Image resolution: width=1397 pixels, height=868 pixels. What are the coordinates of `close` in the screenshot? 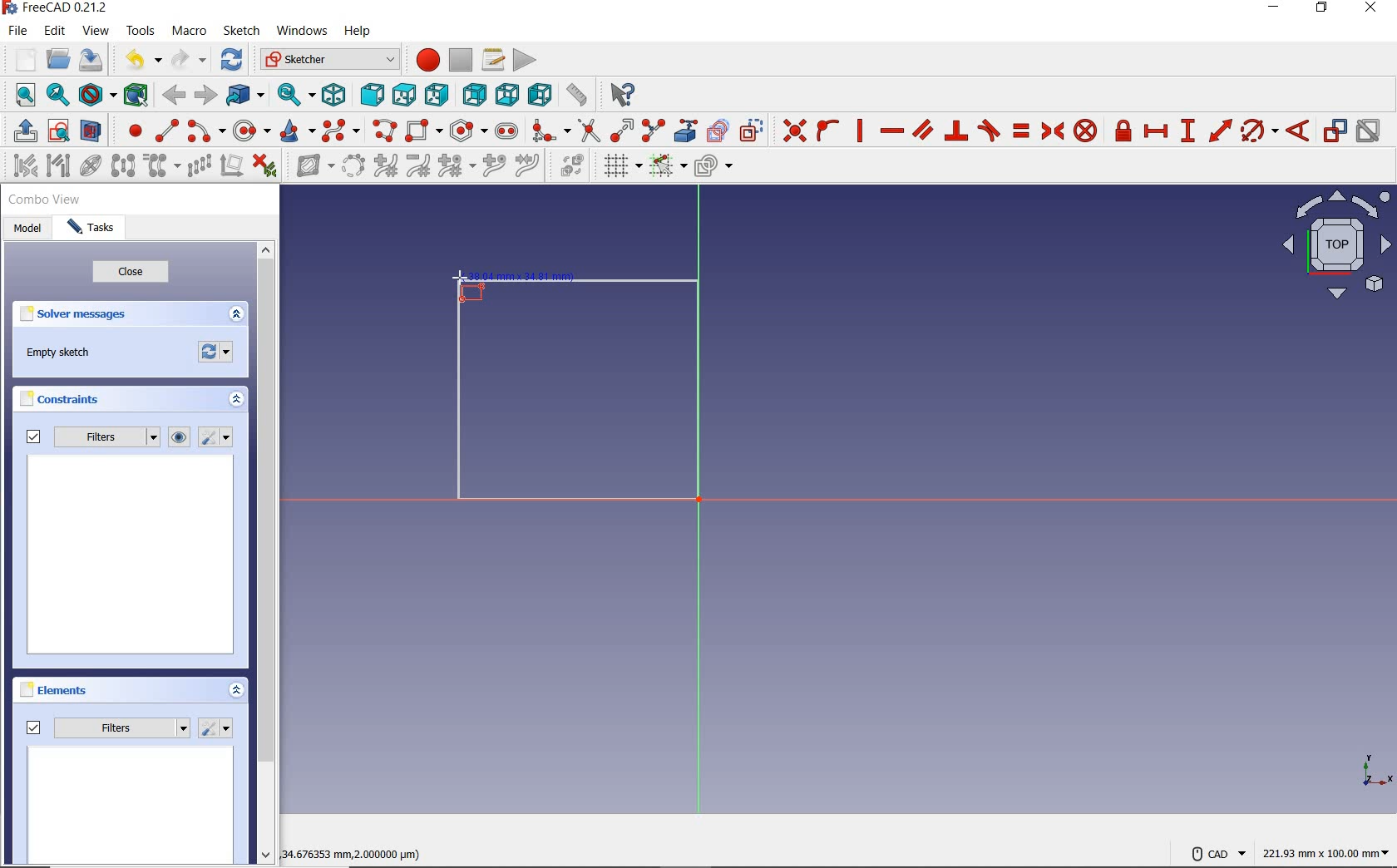 It's located at (131, 274).